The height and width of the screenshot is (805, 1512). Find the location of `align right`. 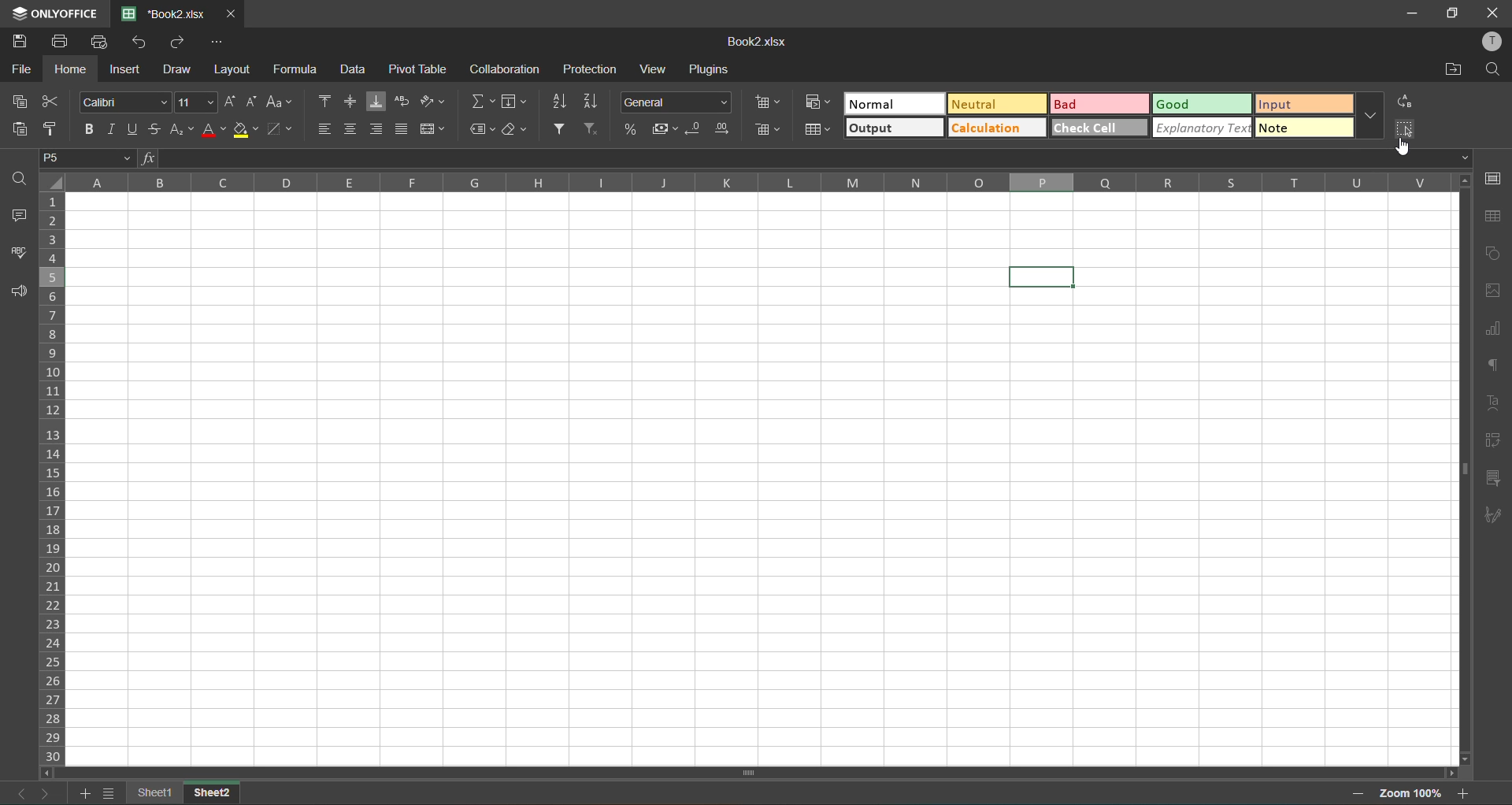

align right is located at coordinates (377, 130).